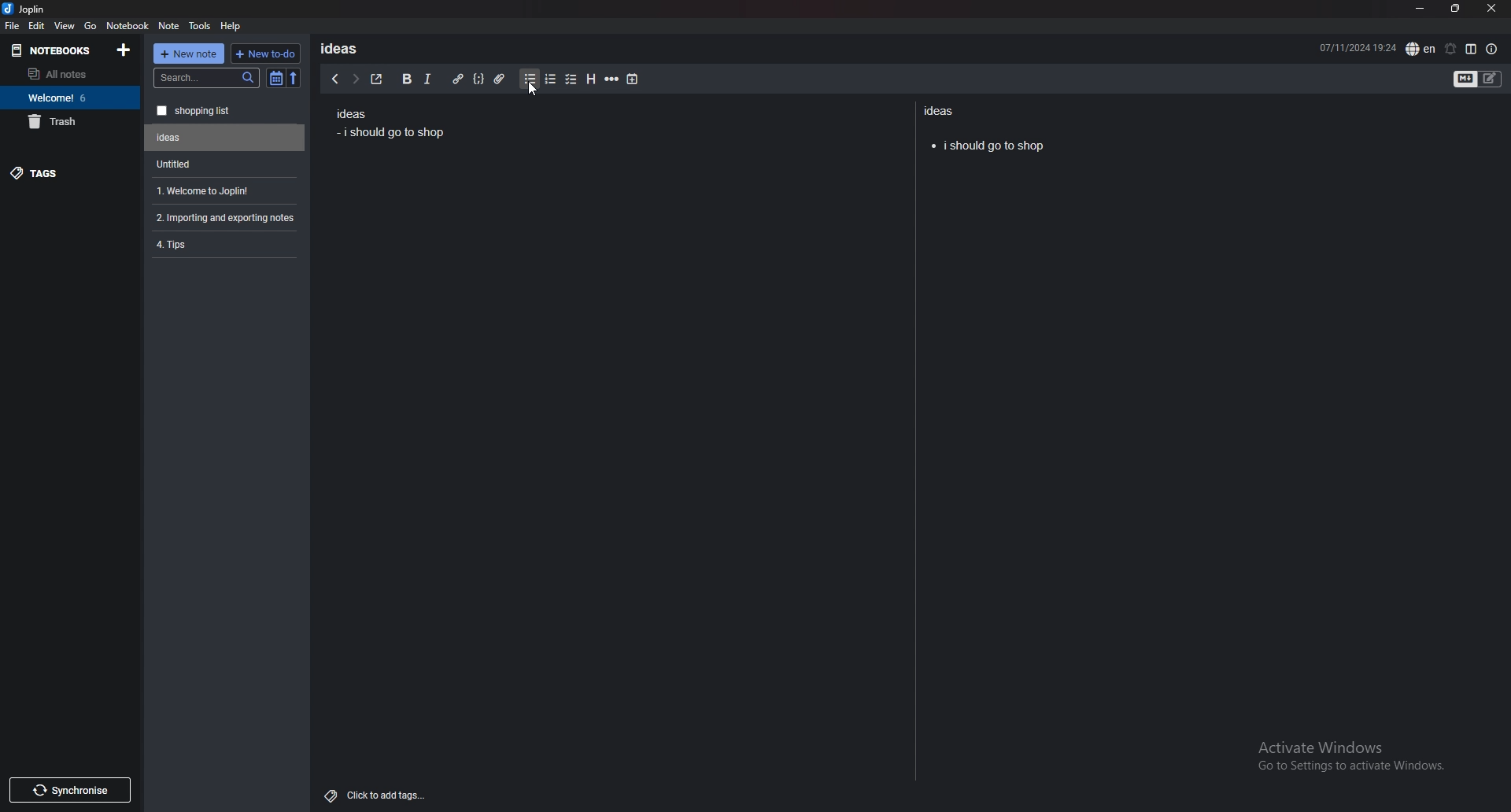 Image resolution: width=1511 pixels, height=812 pixels. What do you see at coordinates (535, 91) in the screenshot?
I see `cursor` at bounding box center [535, 91].